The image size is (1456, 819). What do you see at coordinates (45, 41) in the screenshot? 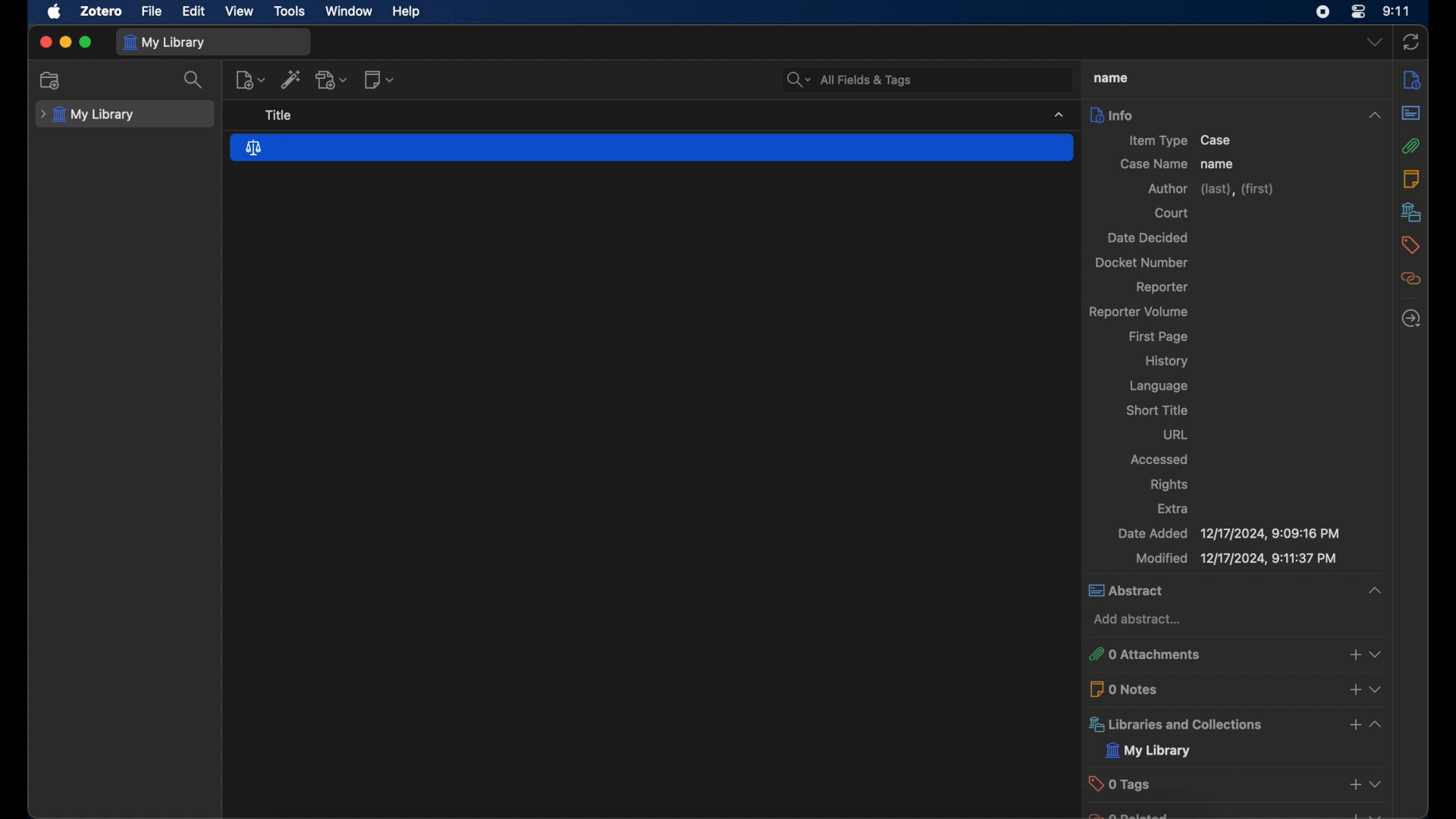
I see `close` at bounding box center [45, 41].